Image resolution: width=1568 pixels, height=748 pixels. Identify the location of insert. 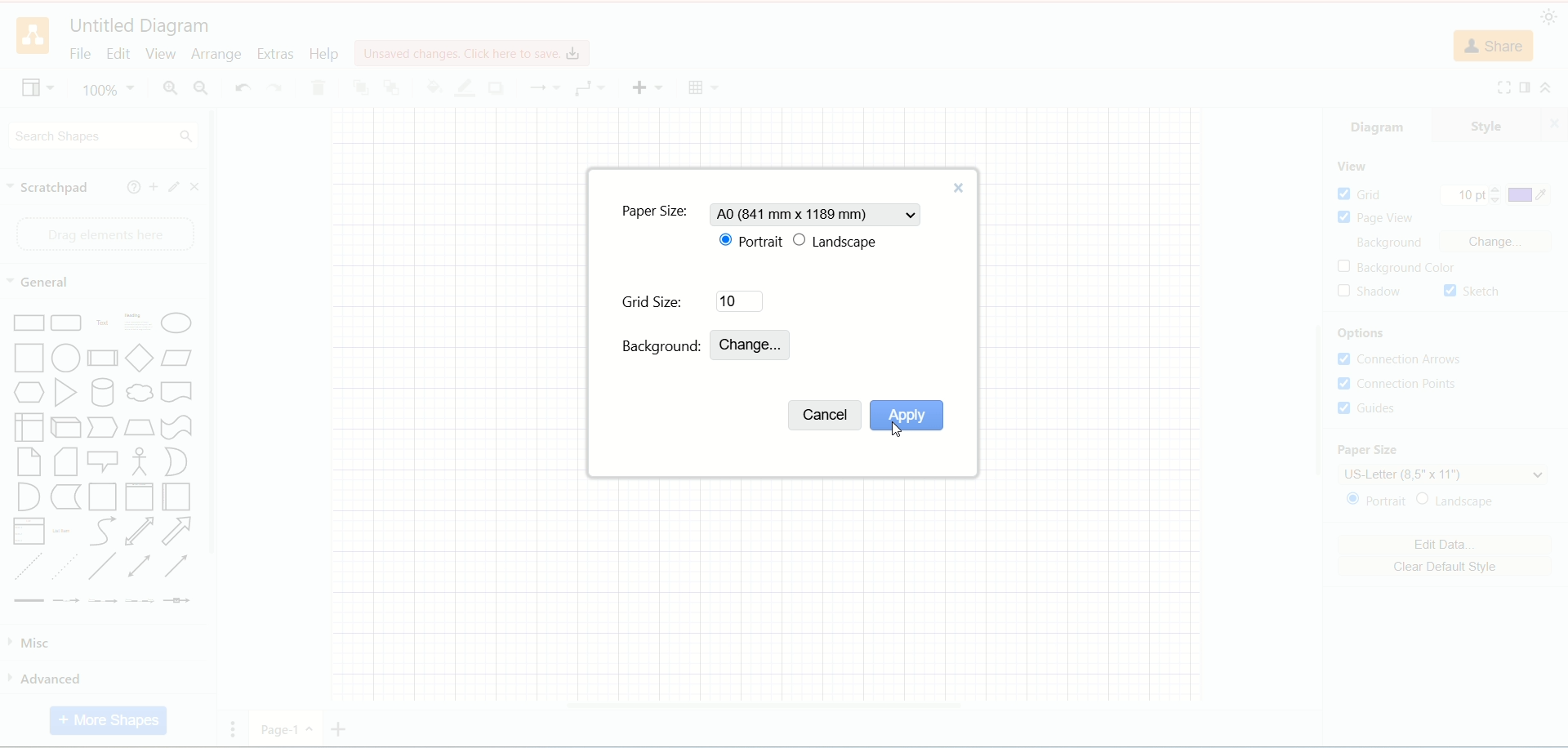
(647, 86).